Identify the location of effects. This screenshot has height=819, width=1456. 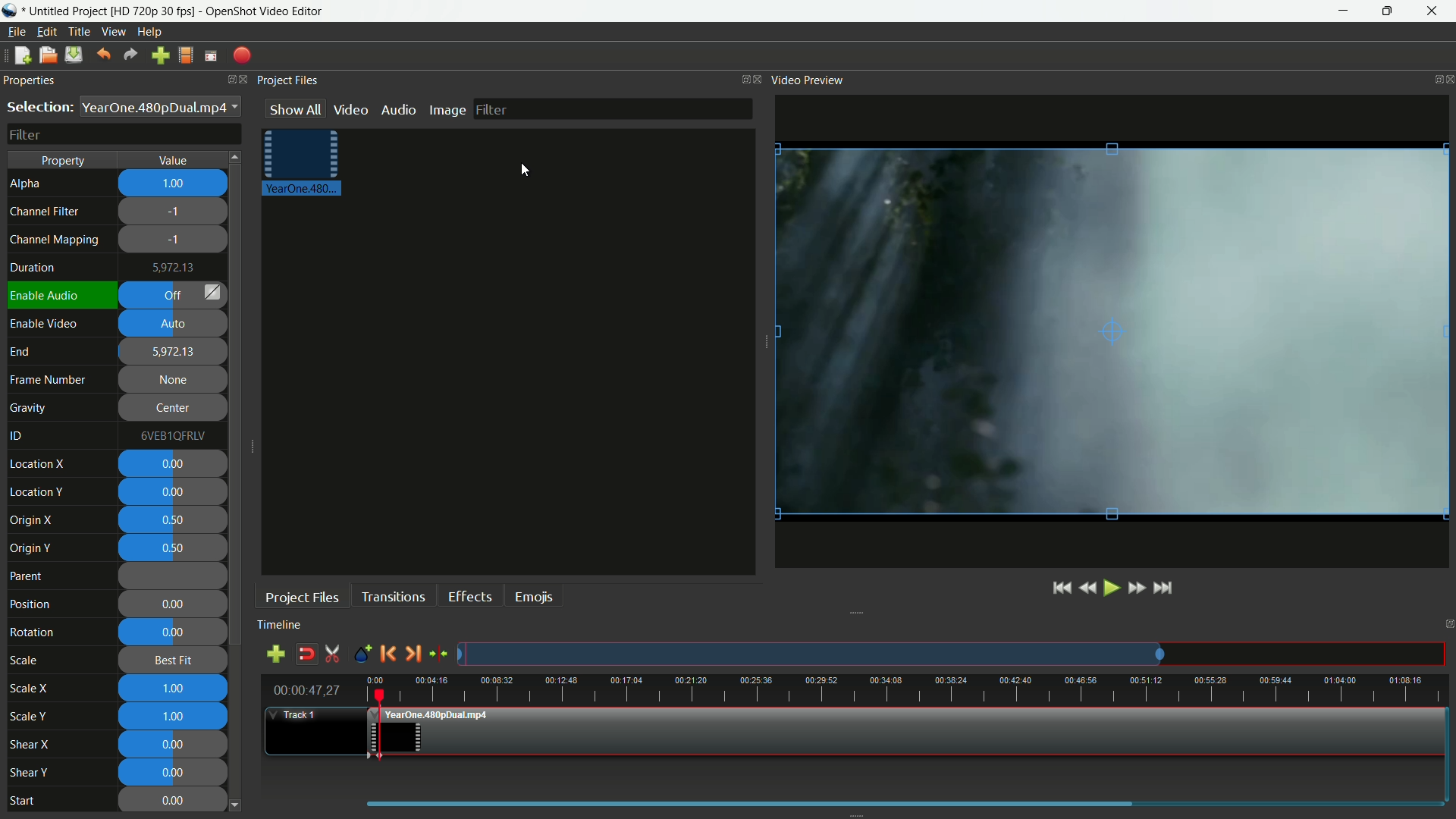
(467, 595).